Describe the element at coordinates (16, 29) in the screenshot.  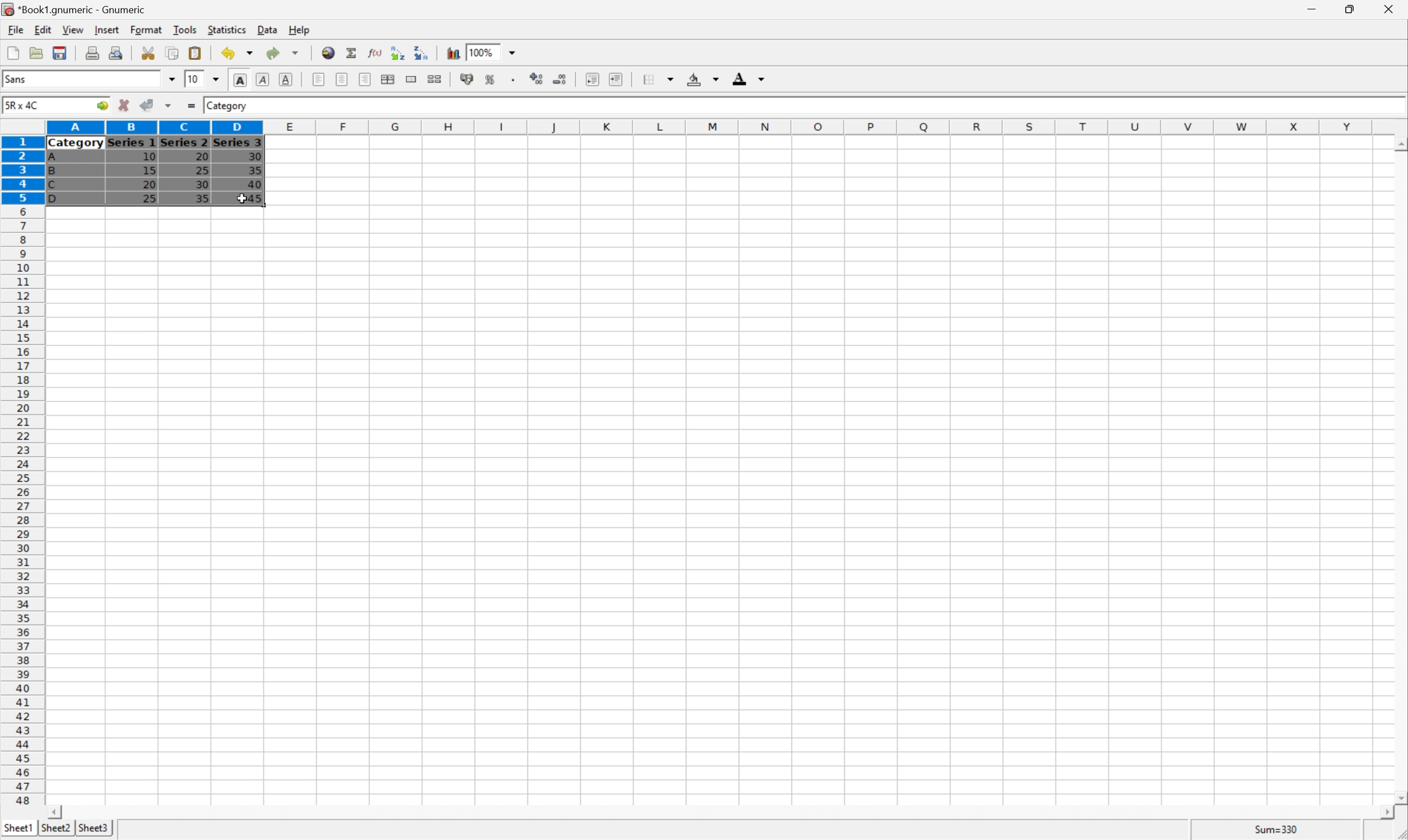
I see `File` at that location.